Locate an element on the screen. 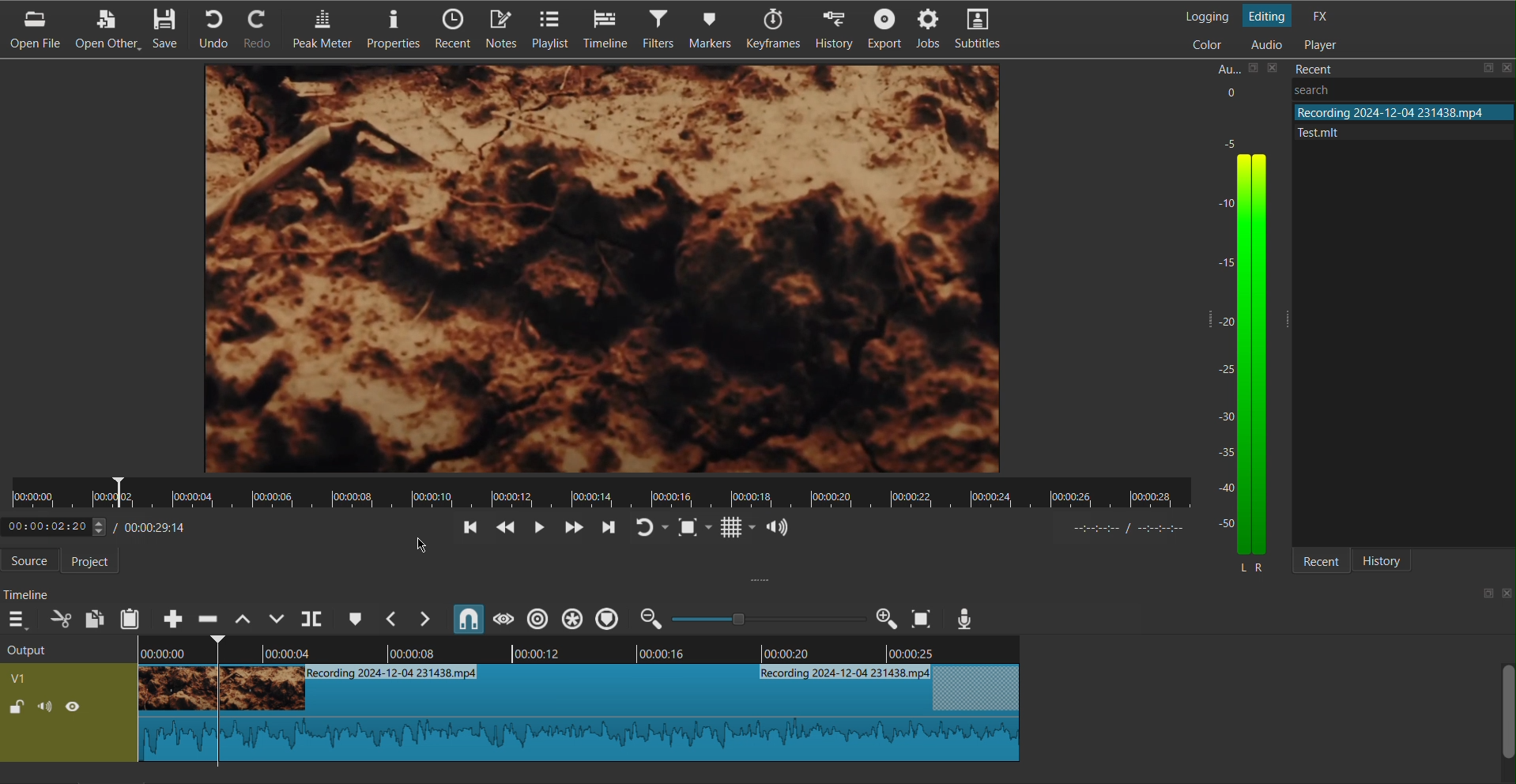 The width and height of the screenshot is (1516, 784). close is located at coordinates (1507, 66).